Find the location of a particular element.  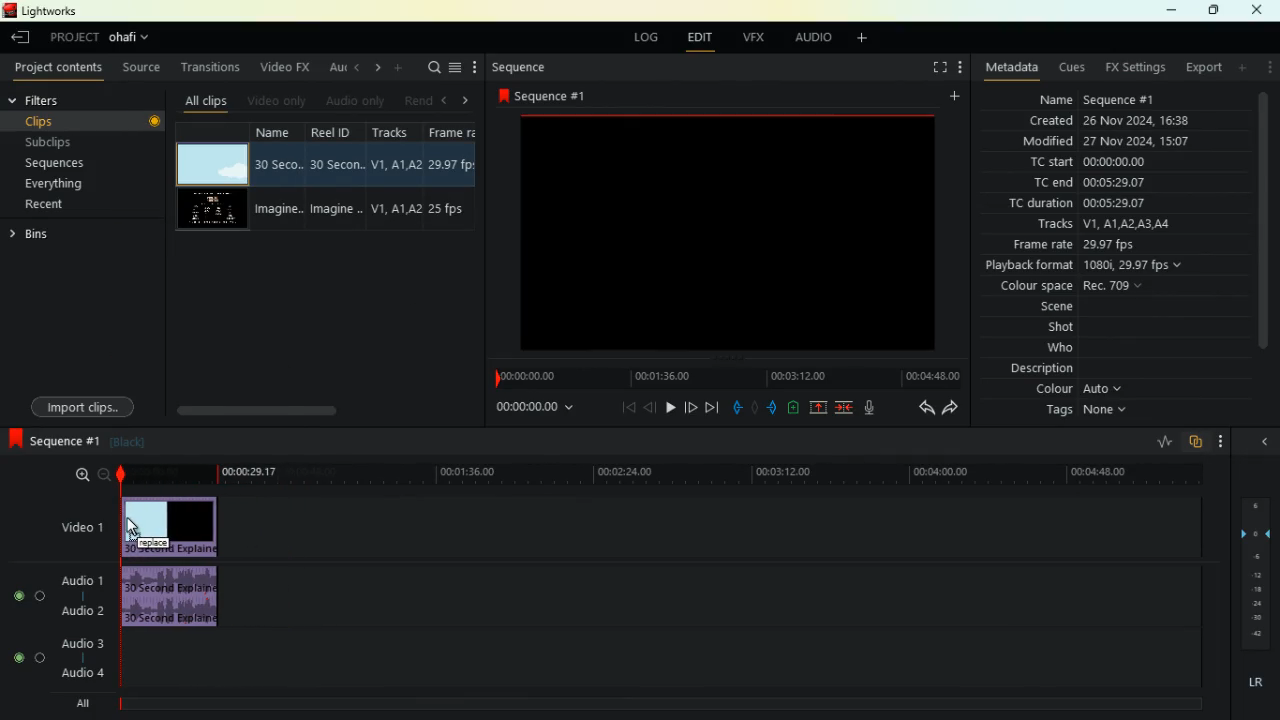

tc end is located at coordinates (1051, 183).